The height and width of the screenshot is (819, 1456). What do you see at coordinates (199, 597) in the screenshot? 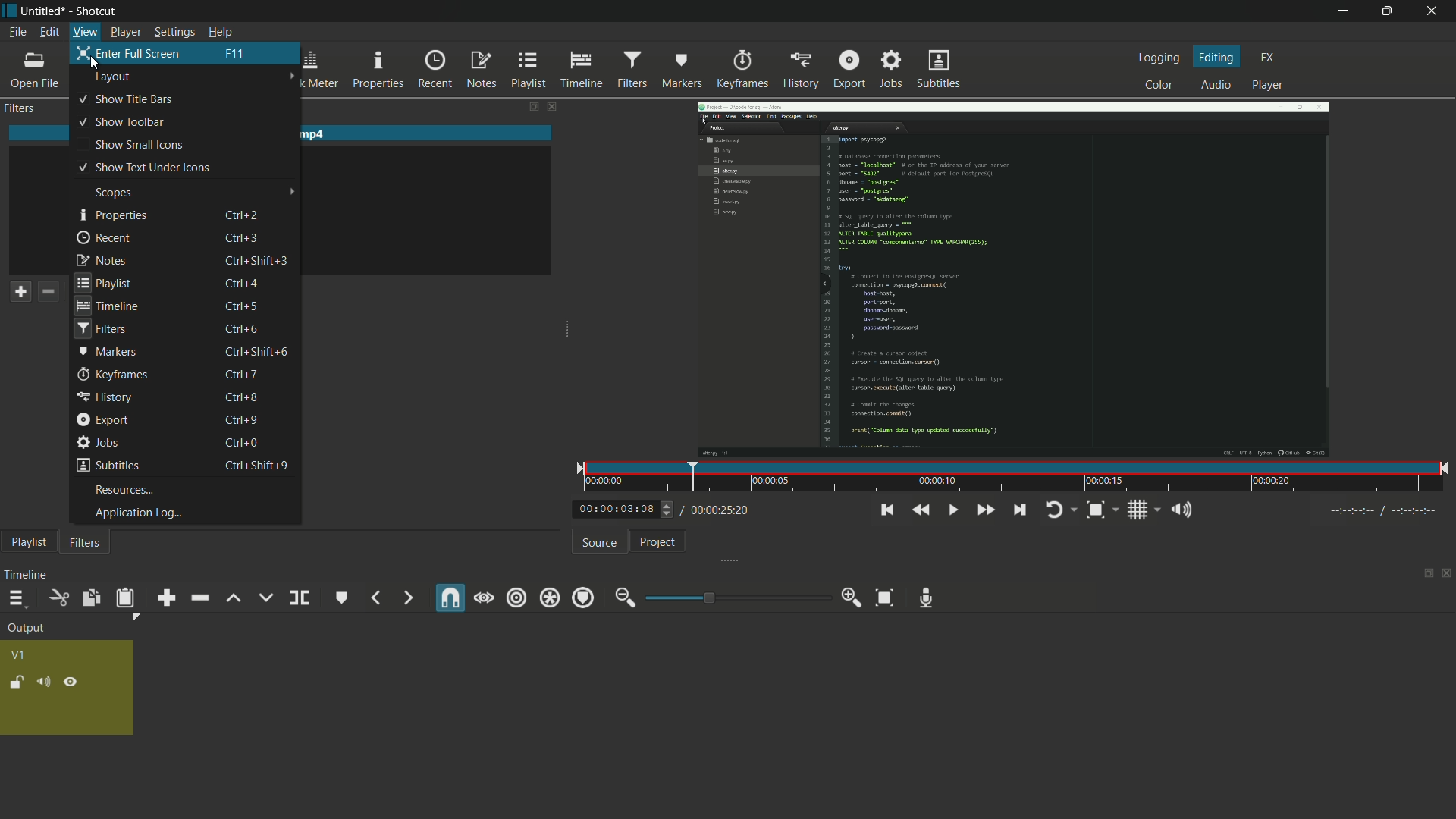
I see `ripple delete` at bounding box center [199, 597].